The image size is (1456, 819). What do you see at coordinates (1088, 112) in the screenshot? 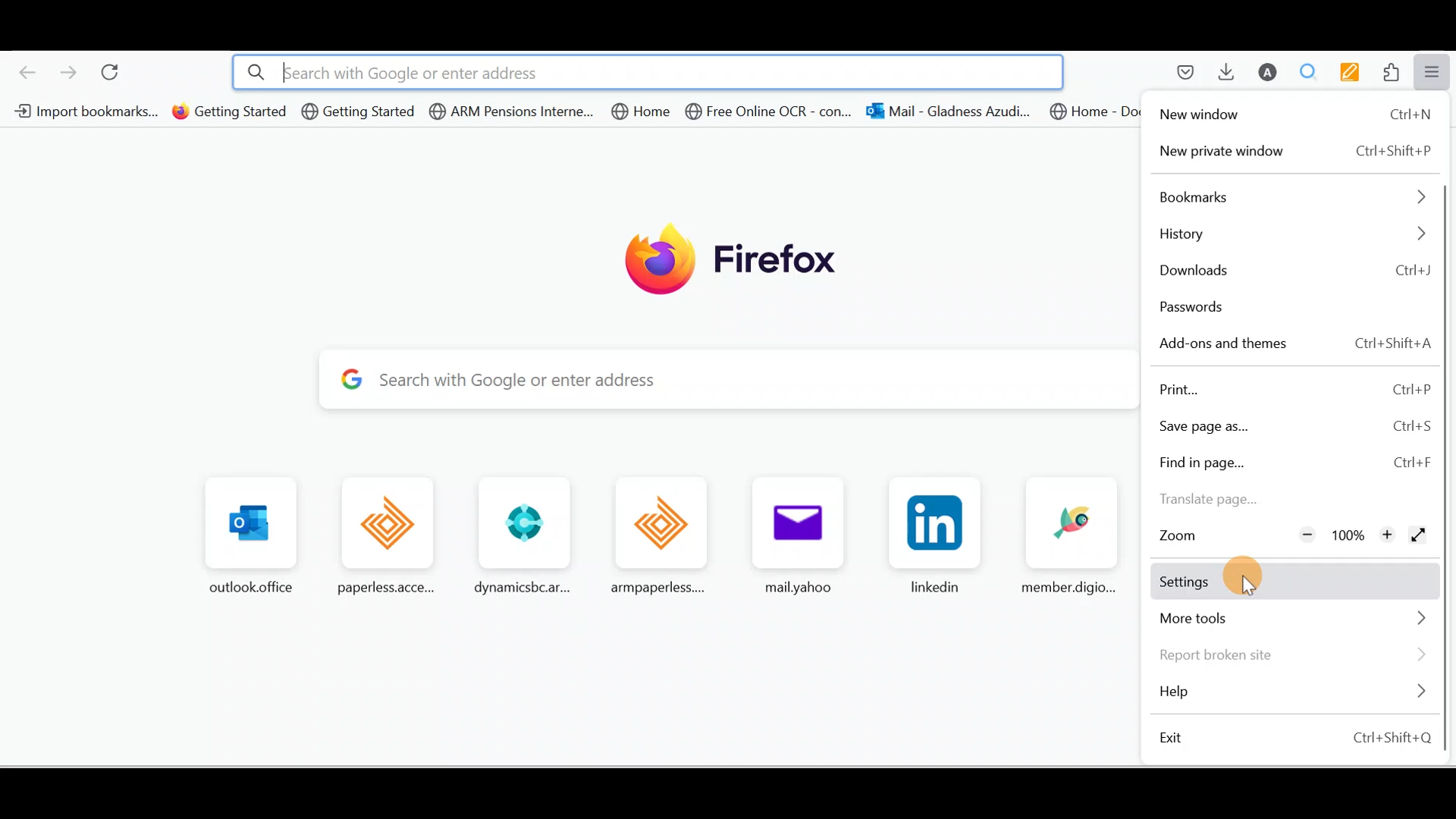
I see `Bookmark 8` at bounding box center [1088, 112].